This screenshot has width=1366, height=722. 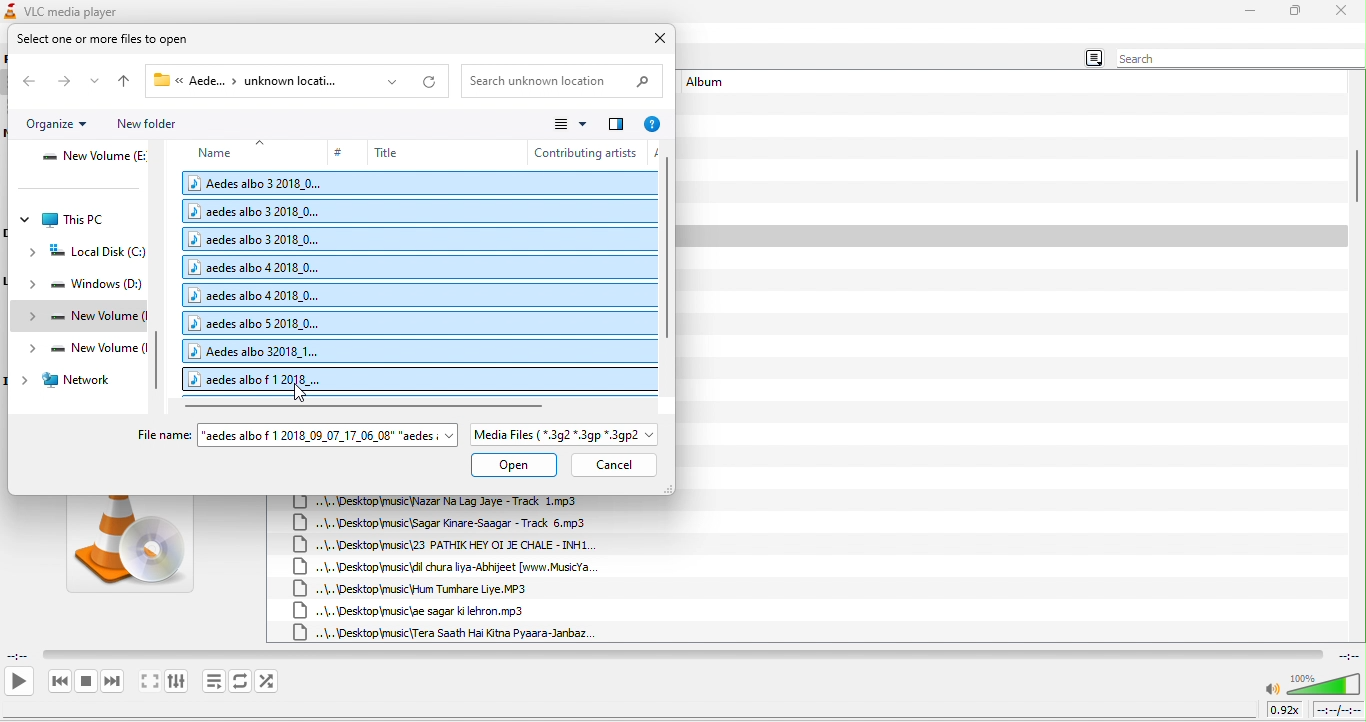 I want to click on mute/unmute, so click(x=1272, y=690).